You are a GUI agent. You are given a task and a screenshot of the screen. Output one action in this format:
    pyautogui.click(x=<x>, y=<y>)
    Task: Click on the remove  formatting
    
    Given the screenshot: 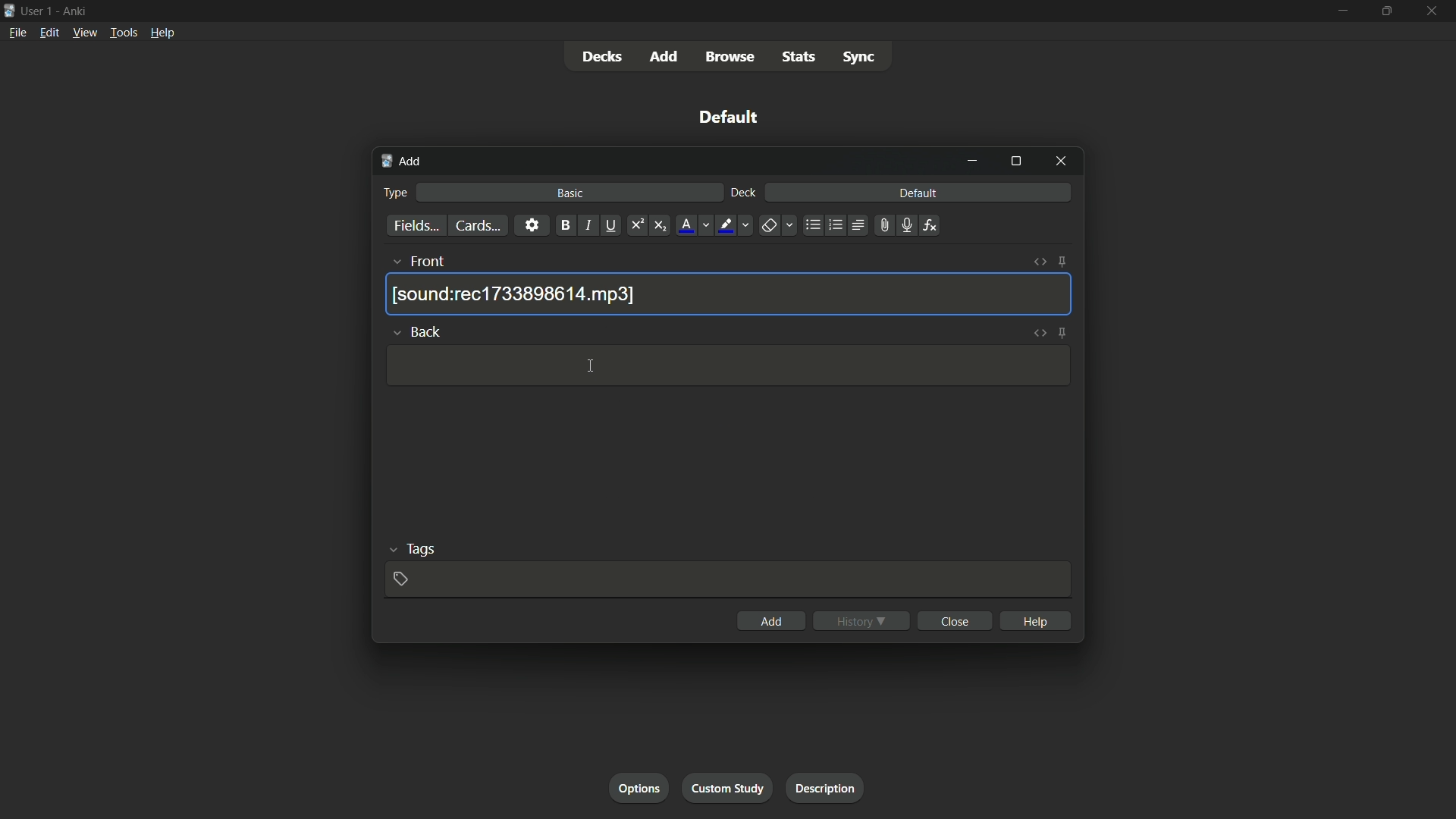 What is the action you would take?
    pyautogui.click(x=768, y=226)
    